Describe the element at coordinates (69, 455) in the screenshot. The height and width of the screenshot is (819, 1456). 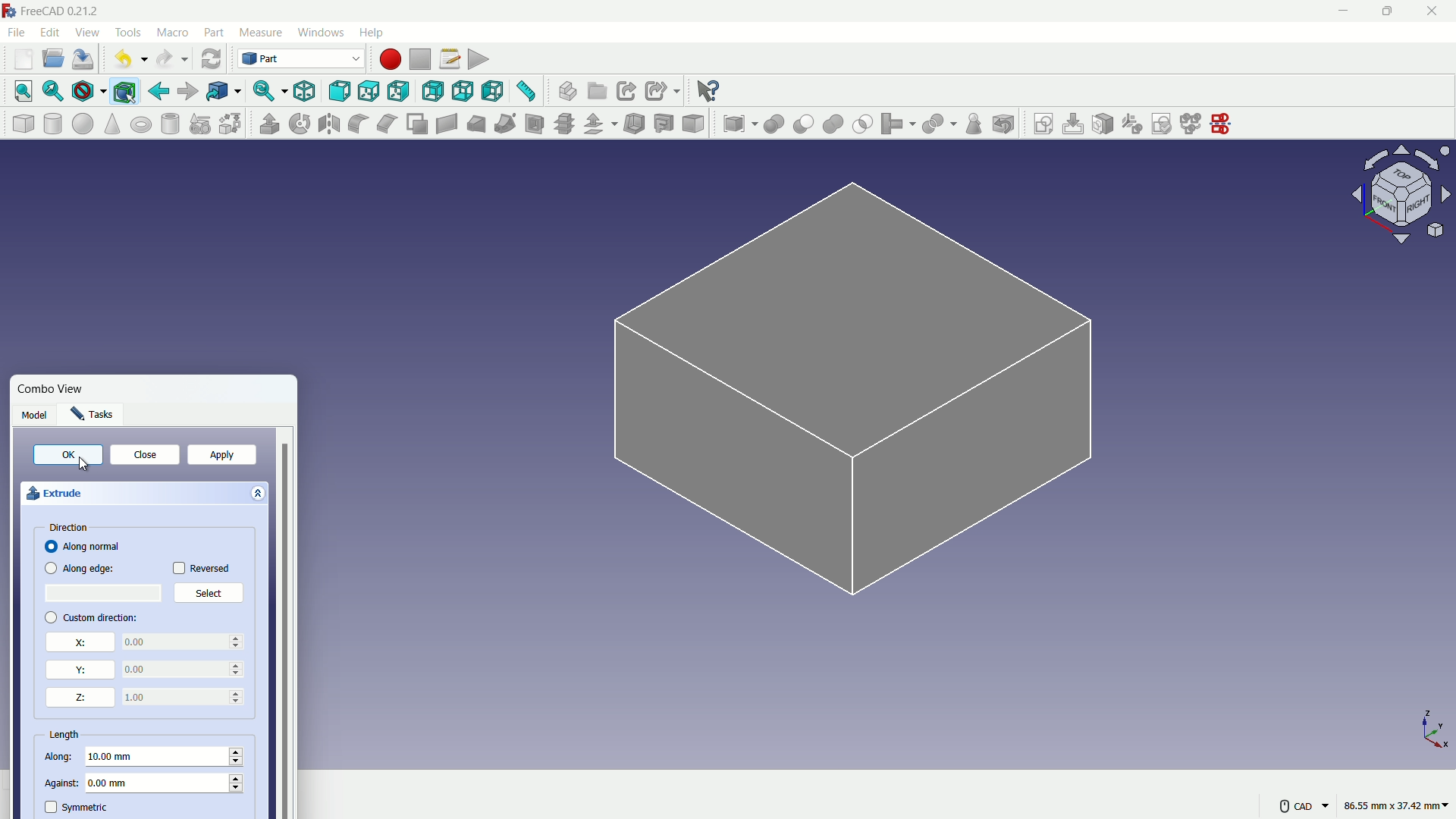
I see `OK` at that location.